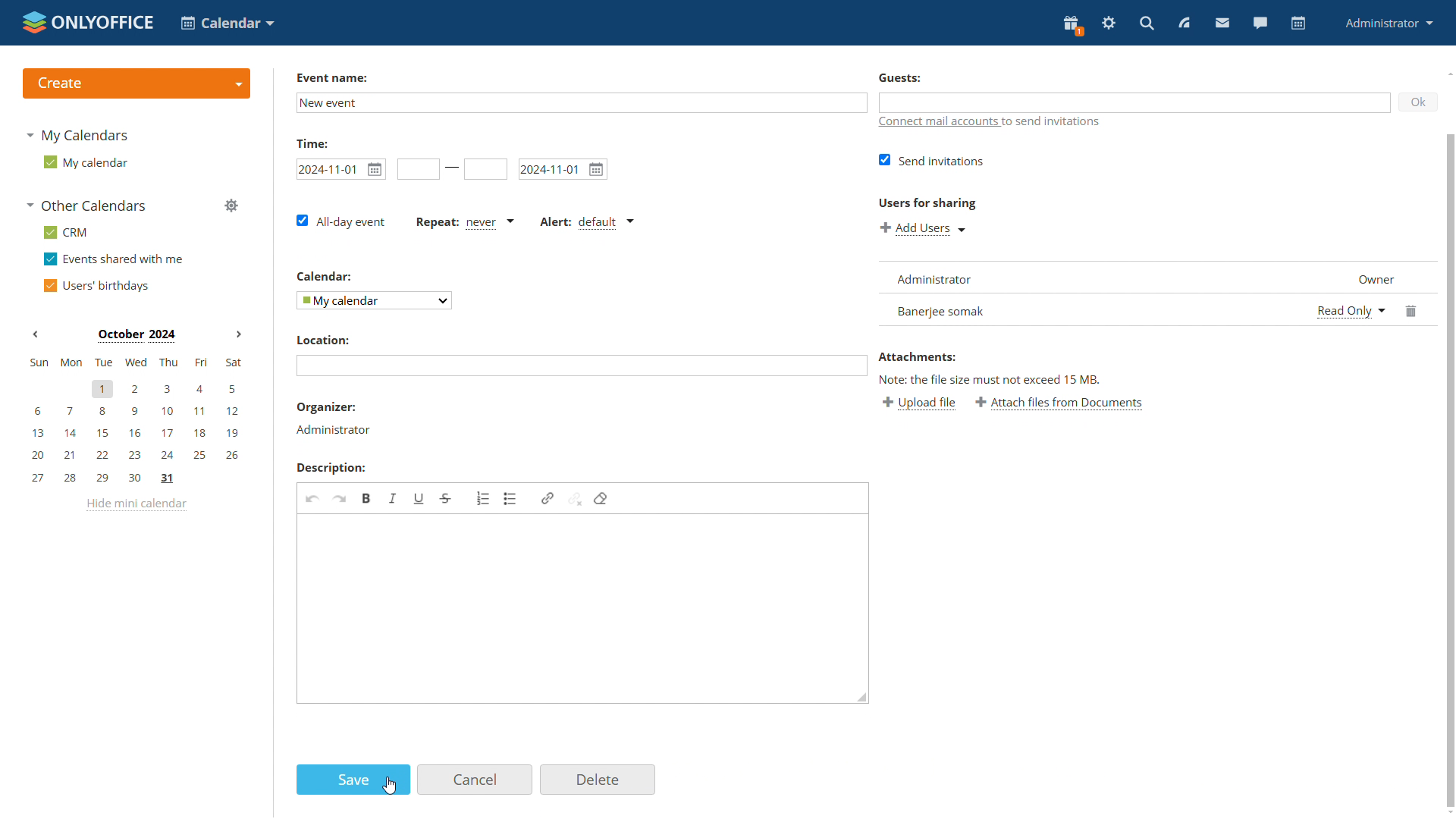 Image resolution: width=1456 pixels, height=819 pixels. I want to click on present, so click(1072, 24).